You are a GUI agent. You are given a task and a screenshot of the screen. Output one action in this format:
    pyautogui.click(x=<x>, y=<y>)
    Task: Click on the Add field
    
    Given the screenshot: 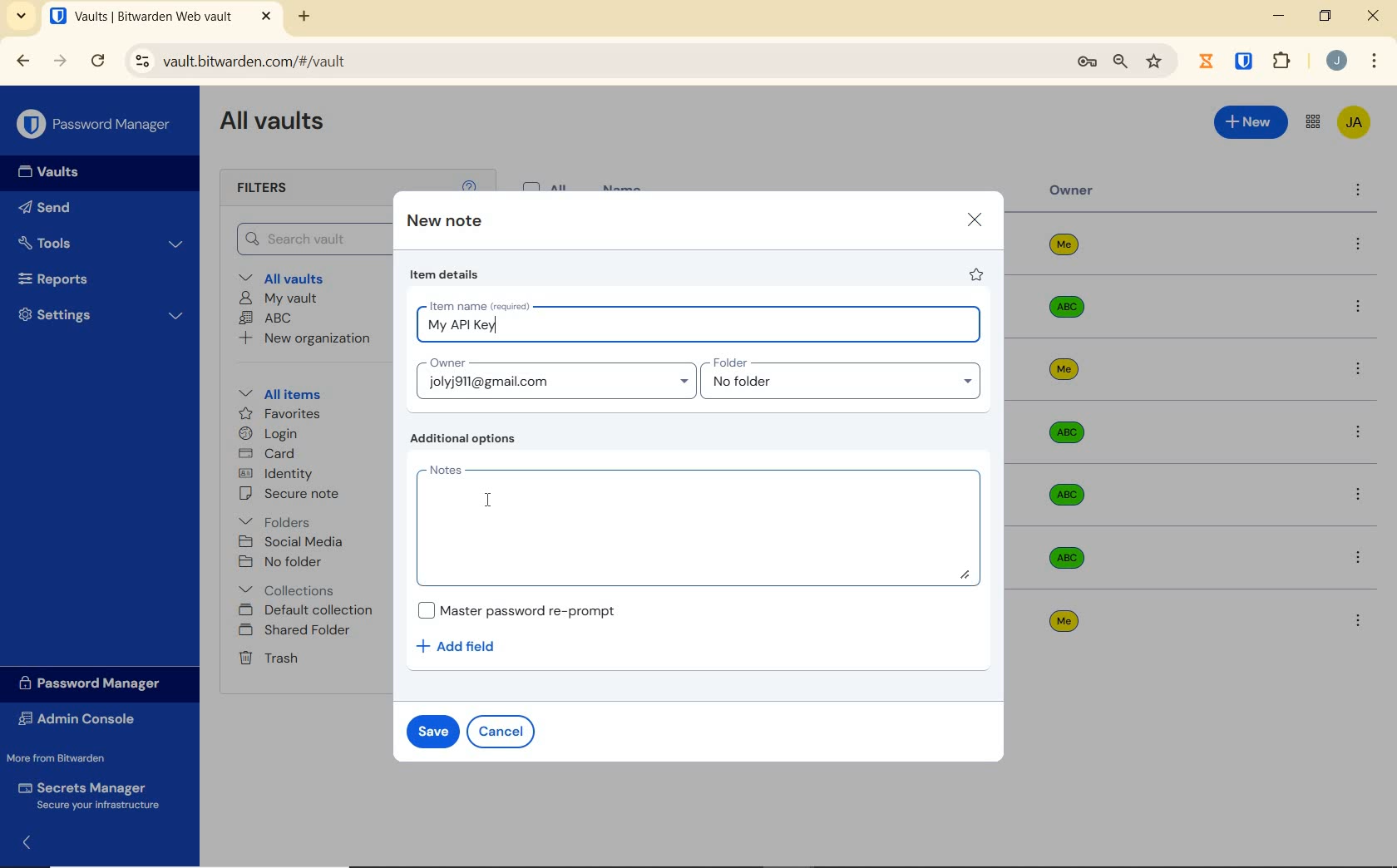 What is the action you would take?
    pyautogui.click(x=464, y=646)
    